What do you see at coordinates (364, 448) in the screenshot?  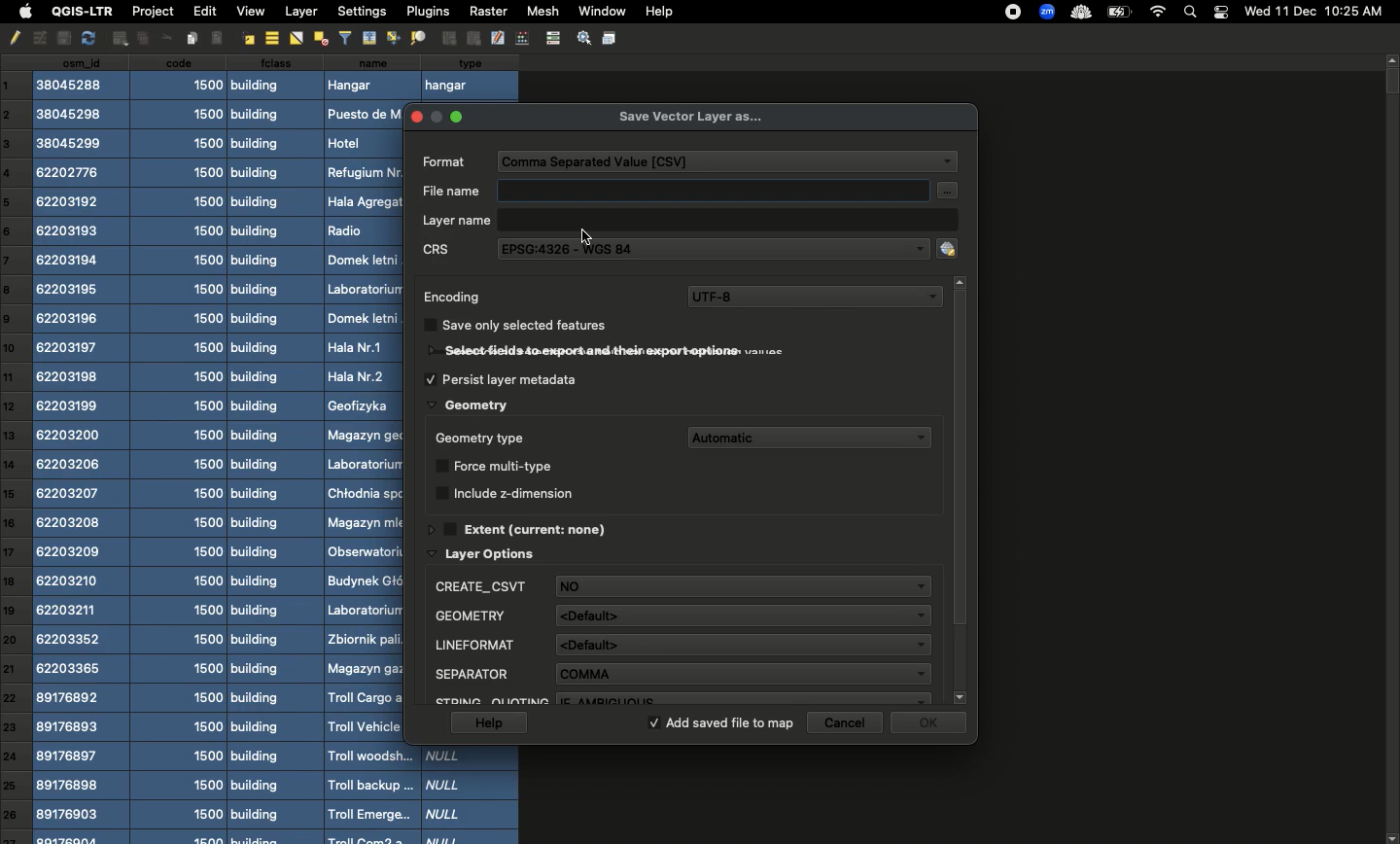 I see `Name` at bounding box center [364, 448].